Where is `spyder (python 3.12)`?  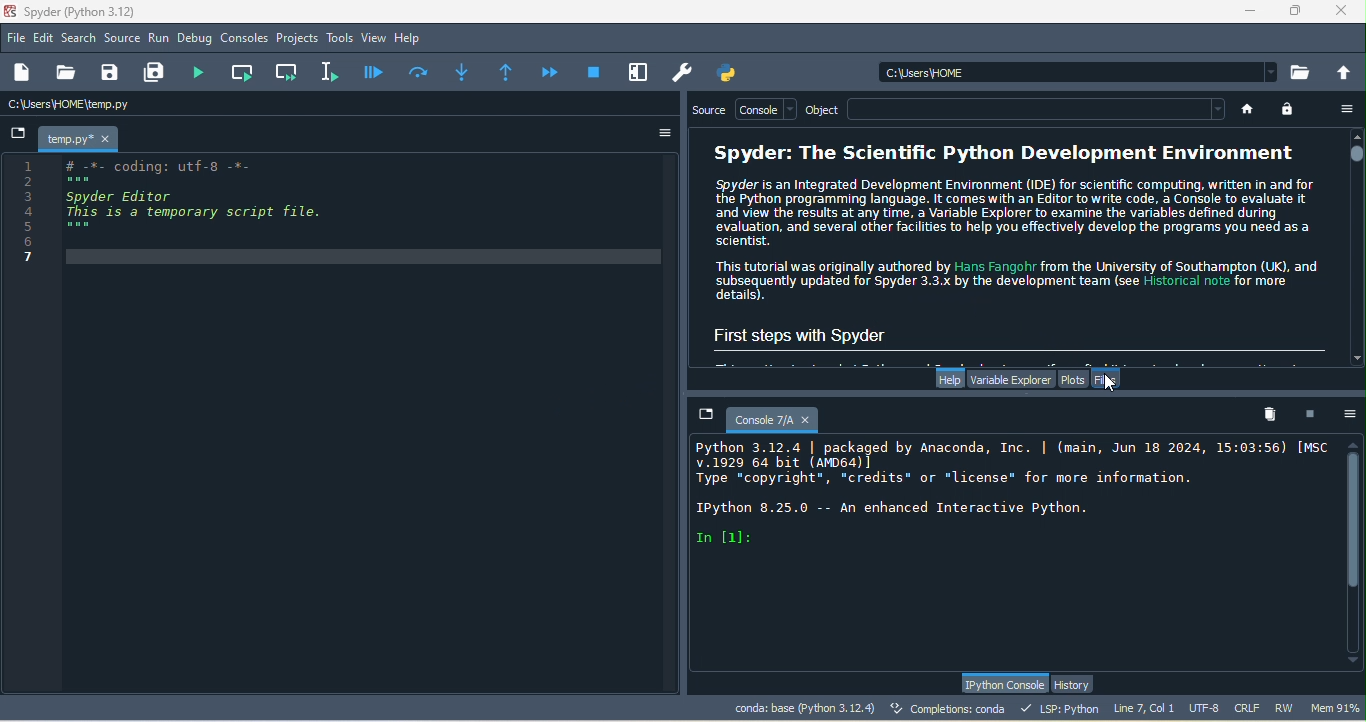 spyder (python 3.12) is located at coordinates (89, 11).